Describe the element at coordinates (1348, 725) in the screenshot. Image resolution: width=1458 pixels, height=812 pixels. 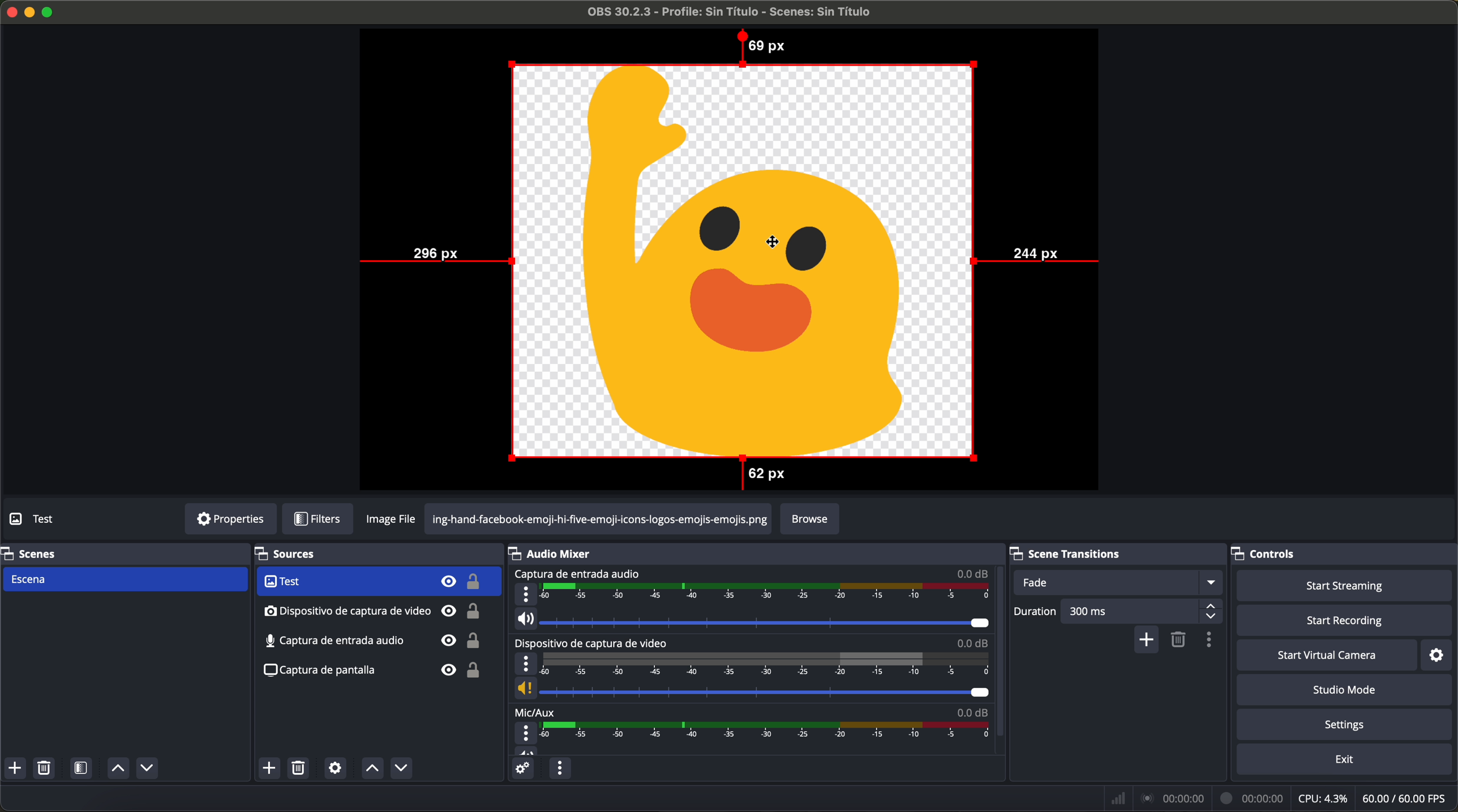
I see `settings` at that location.